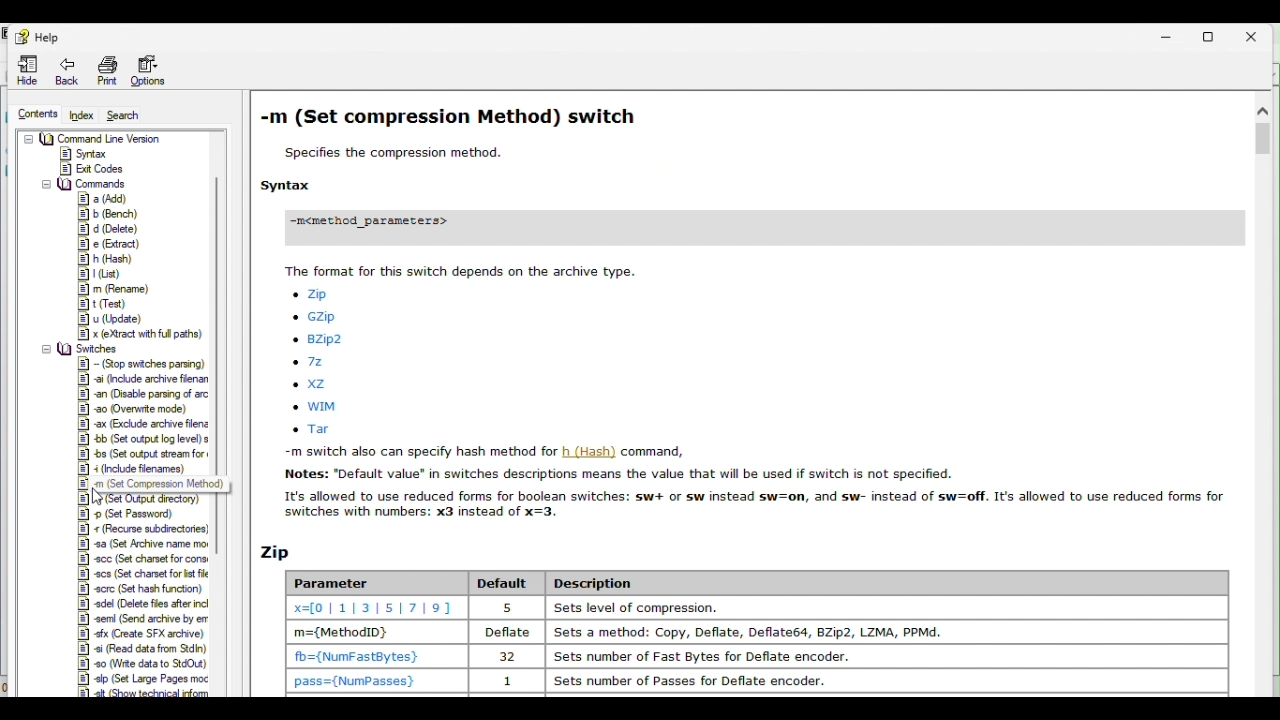  I want to click on Set compression method page, so click(744, 190).